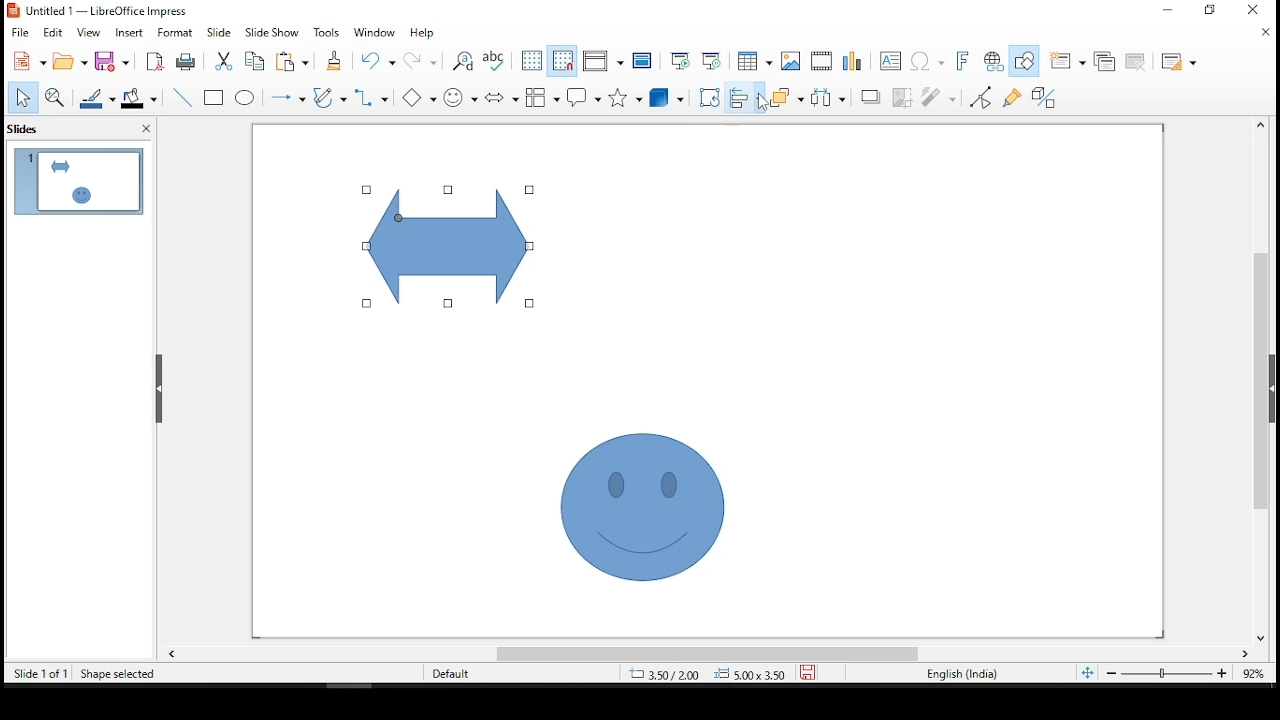 This screenshot has height=720, width=1280. Describe the element at coordinates (927, 60) in the screenshot. I see `insert special characters` at that location.